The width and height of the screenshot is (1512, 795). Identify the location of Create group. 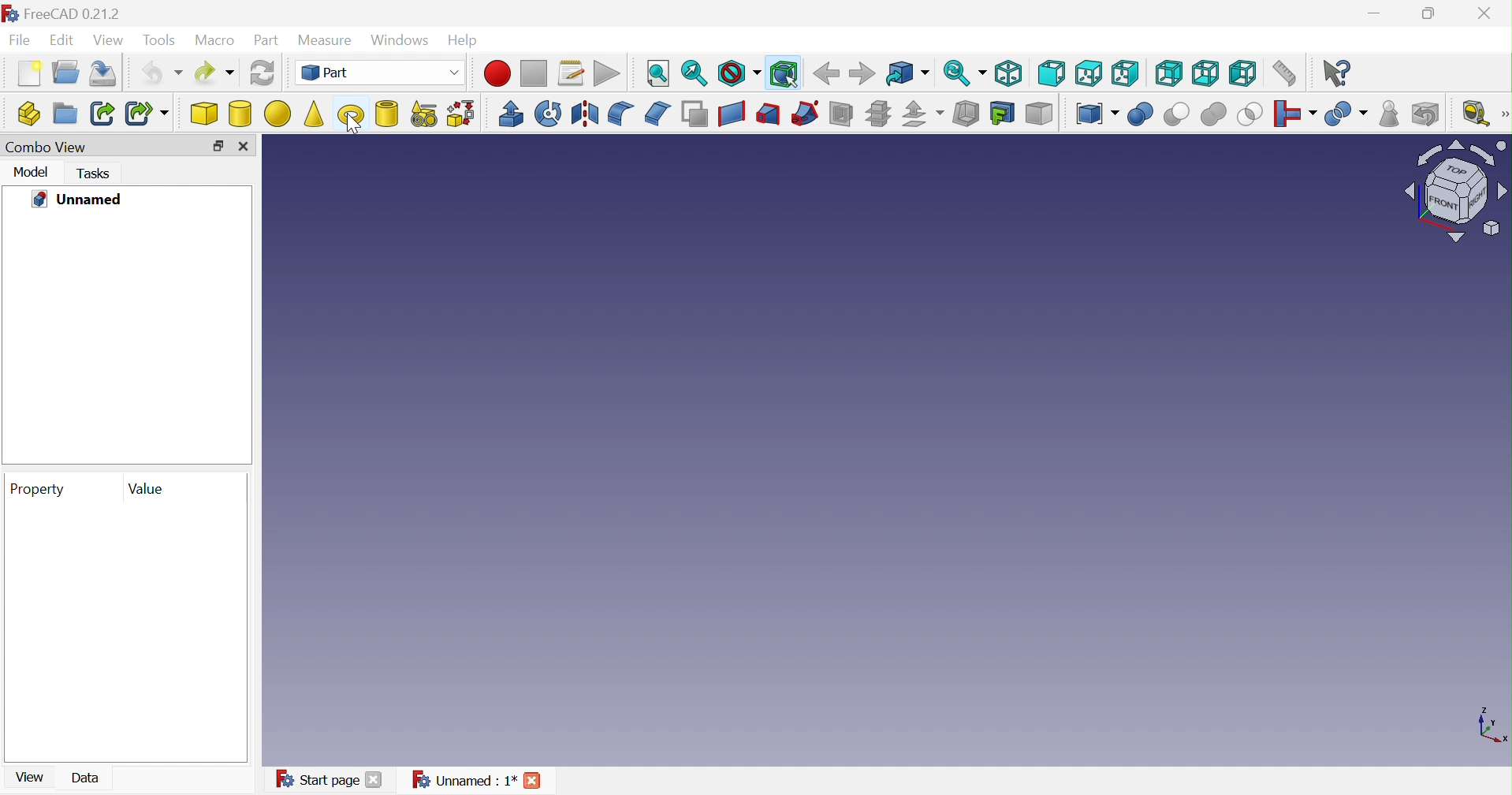
(65, 71).